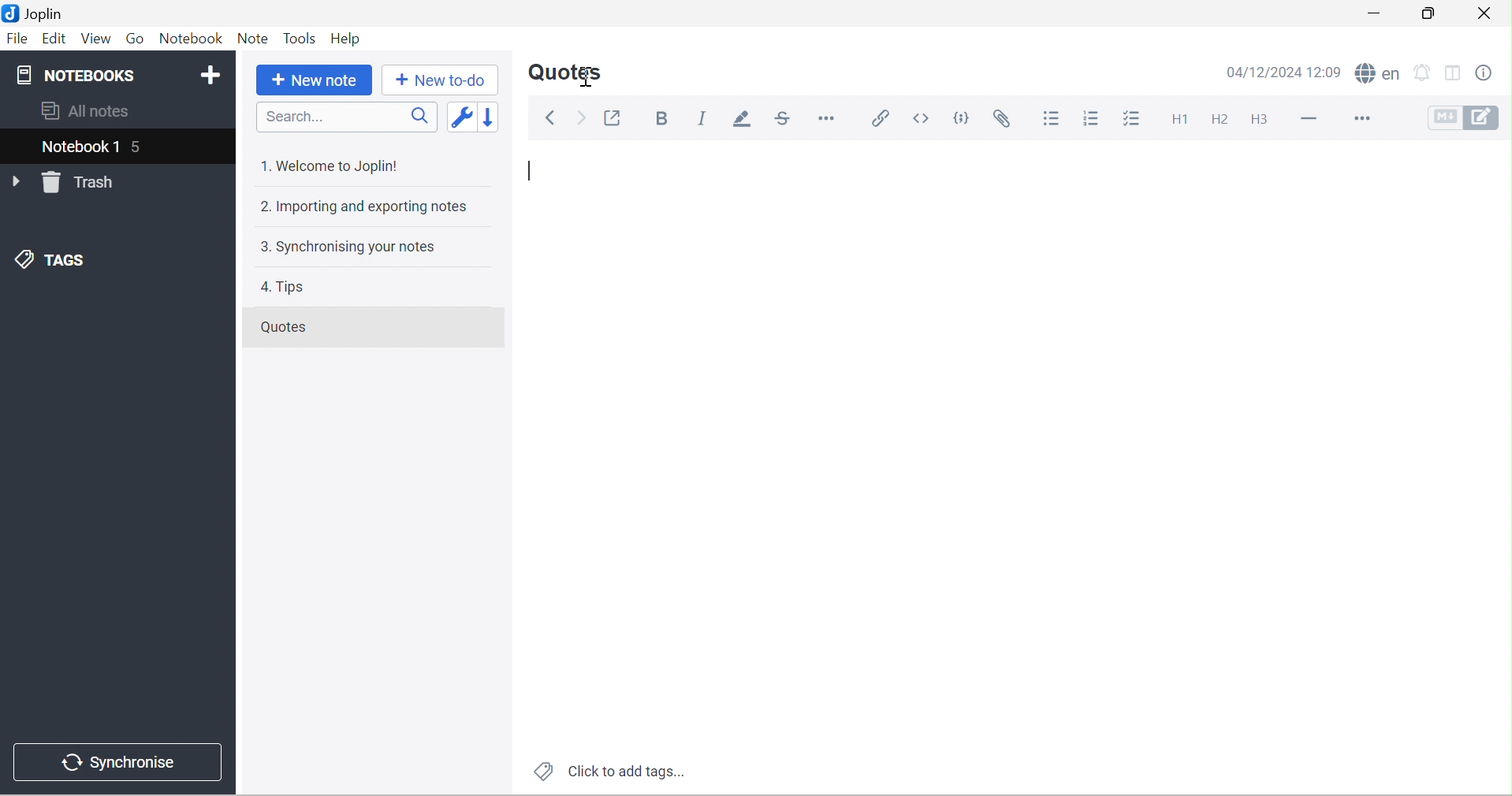 The width and height of the screenshot is (1512, 796). I want to click on Typing Cursor, so click(531, 169).